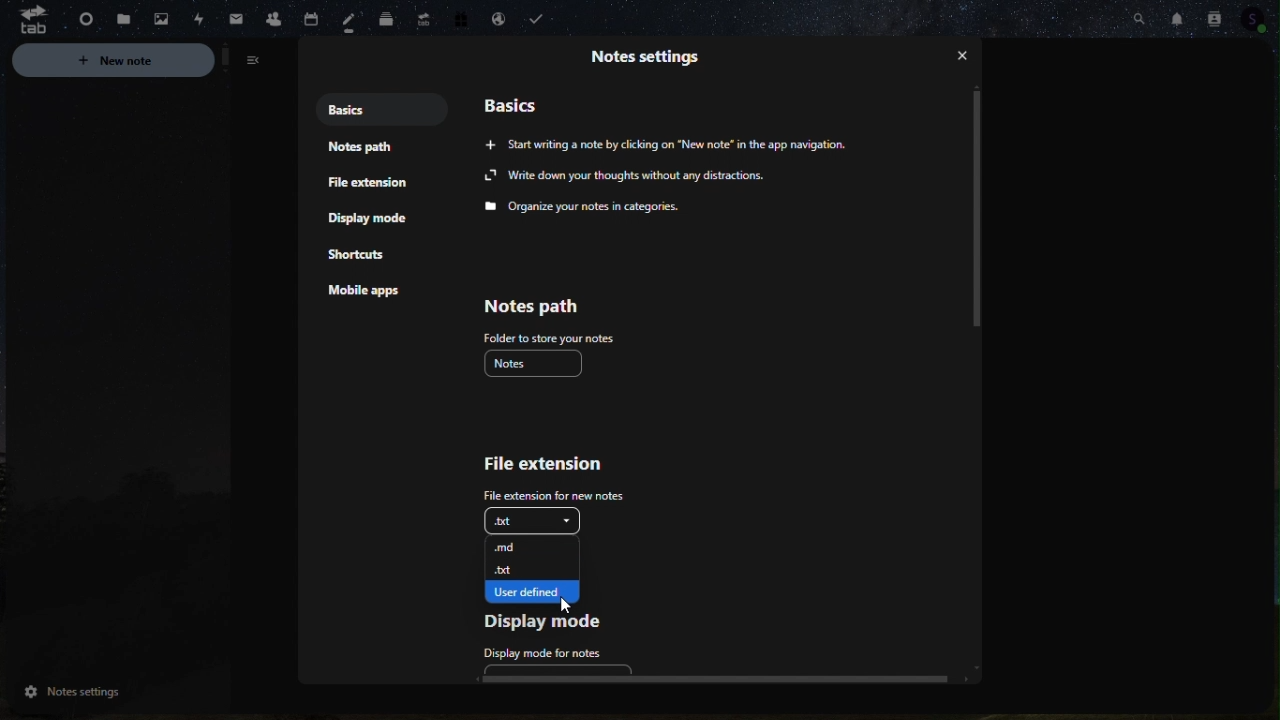 This screenshot has height=720, width=1280. I want to click on calendar, so click(310, 14).